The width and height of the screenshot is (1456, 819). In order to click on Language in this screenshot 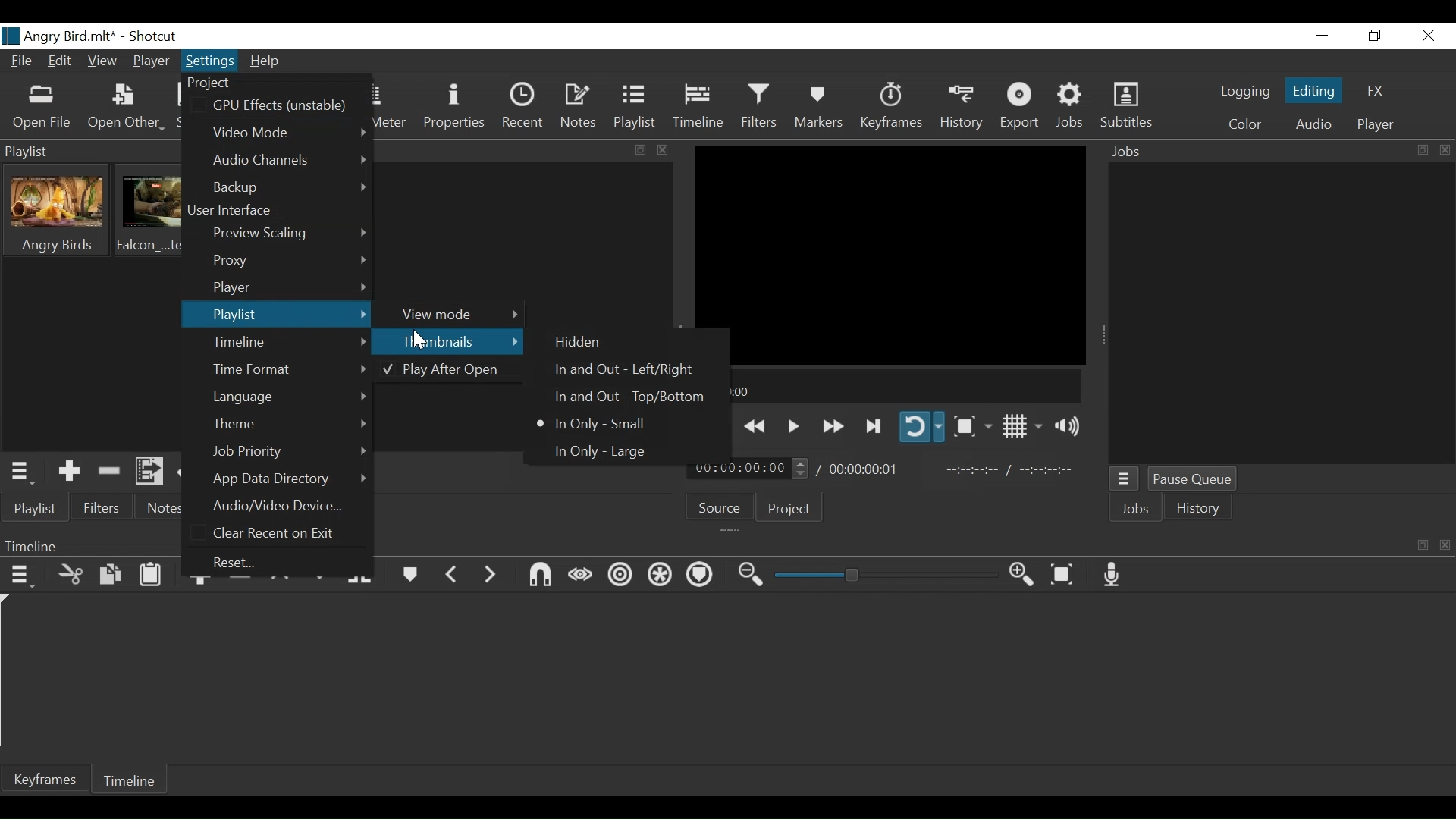, I will do `click(290, 397)`.